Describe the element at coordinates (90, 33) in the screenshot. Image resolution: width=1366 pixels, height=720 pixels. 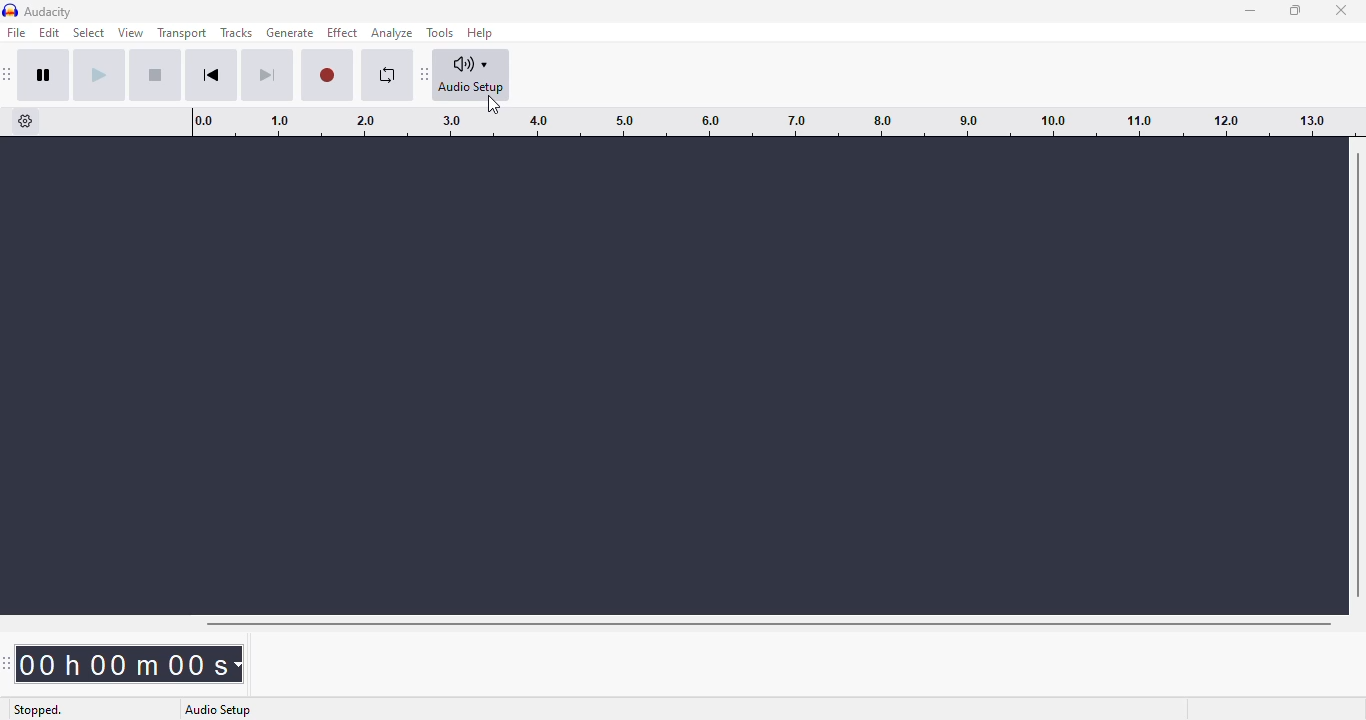
I see `select` at that location.